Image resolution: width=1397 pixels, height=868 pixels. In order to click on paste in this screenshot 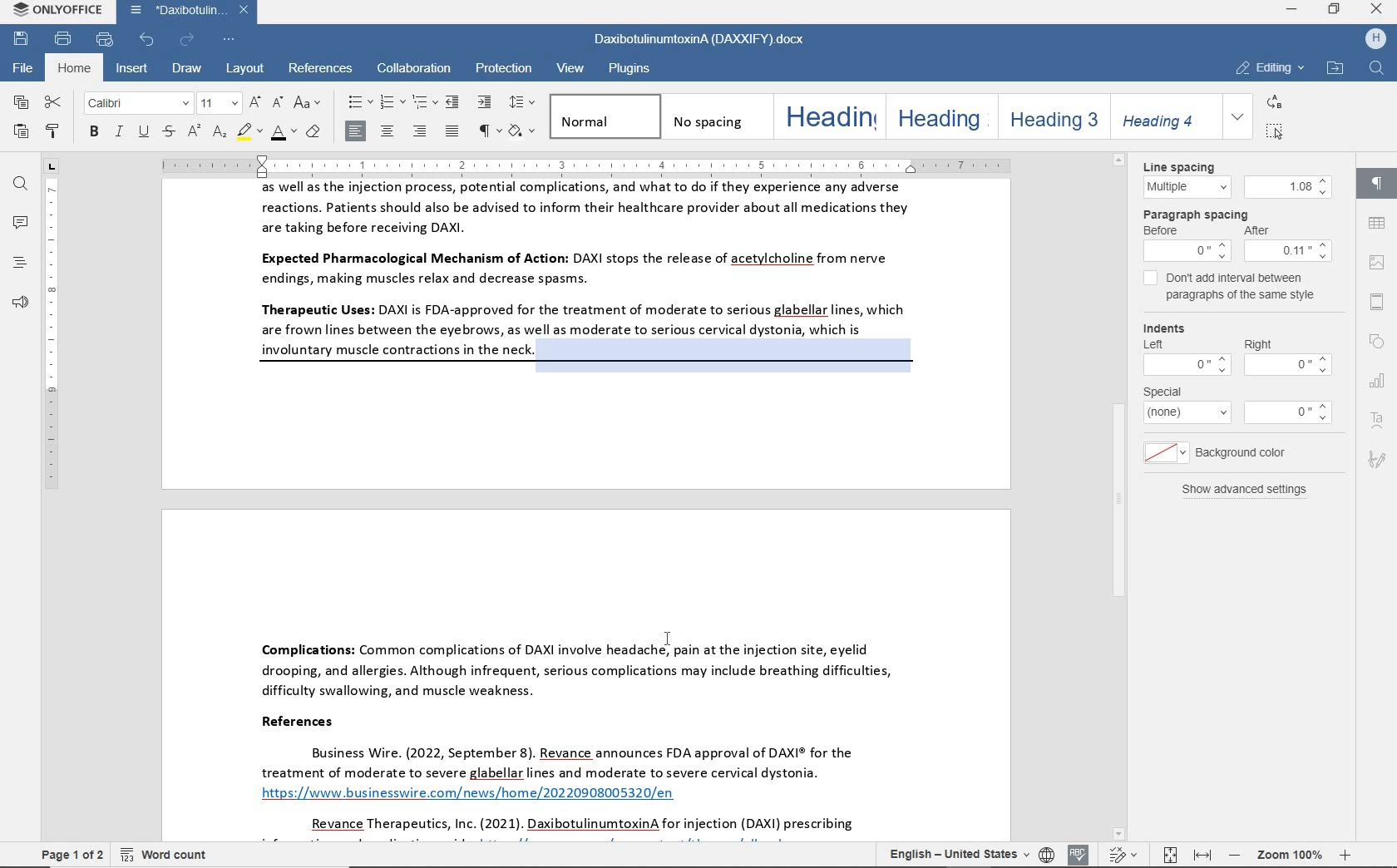, I will do `click(22, 133)`.